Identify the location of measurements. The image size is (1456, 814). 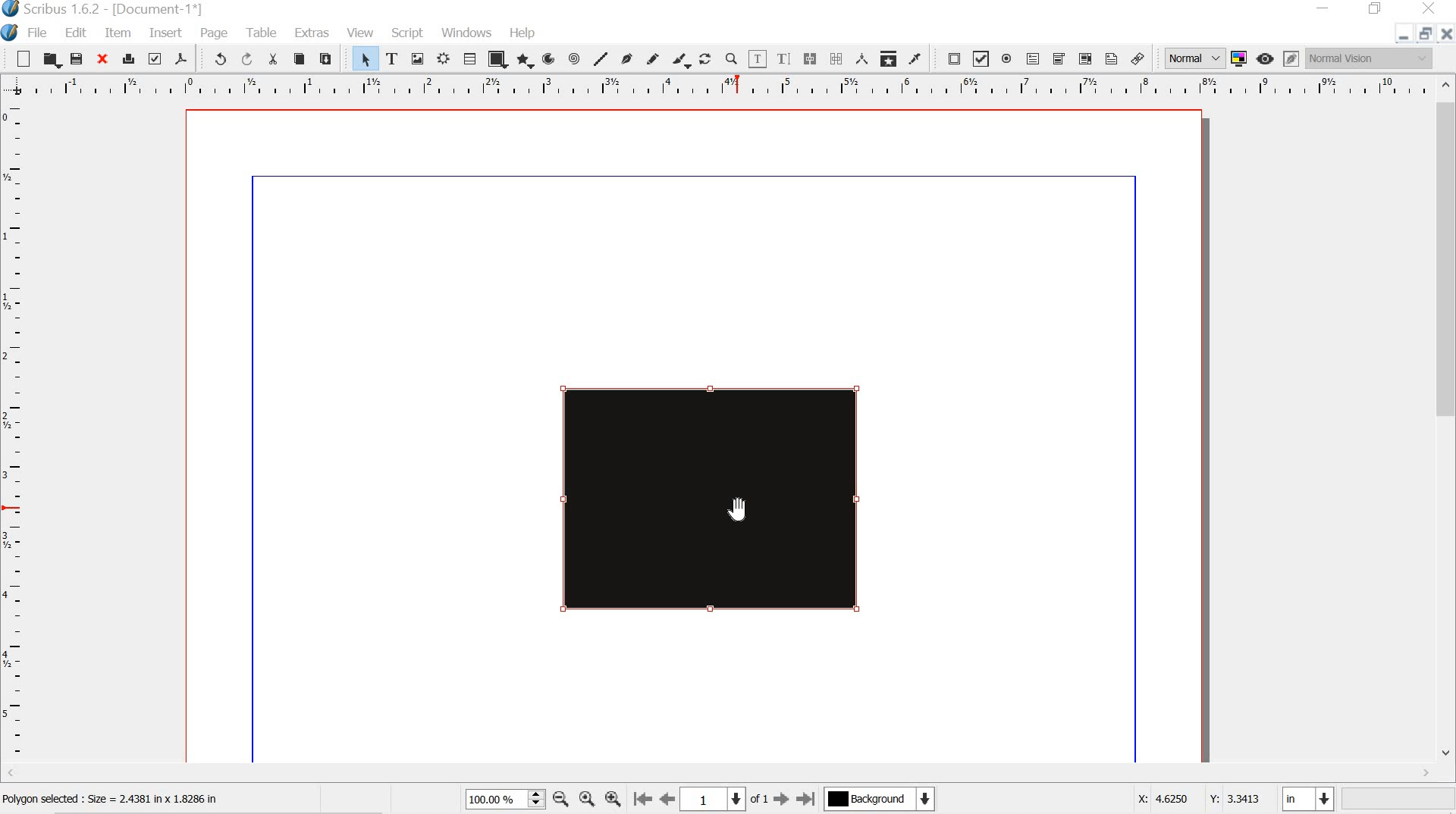
(861, 58).